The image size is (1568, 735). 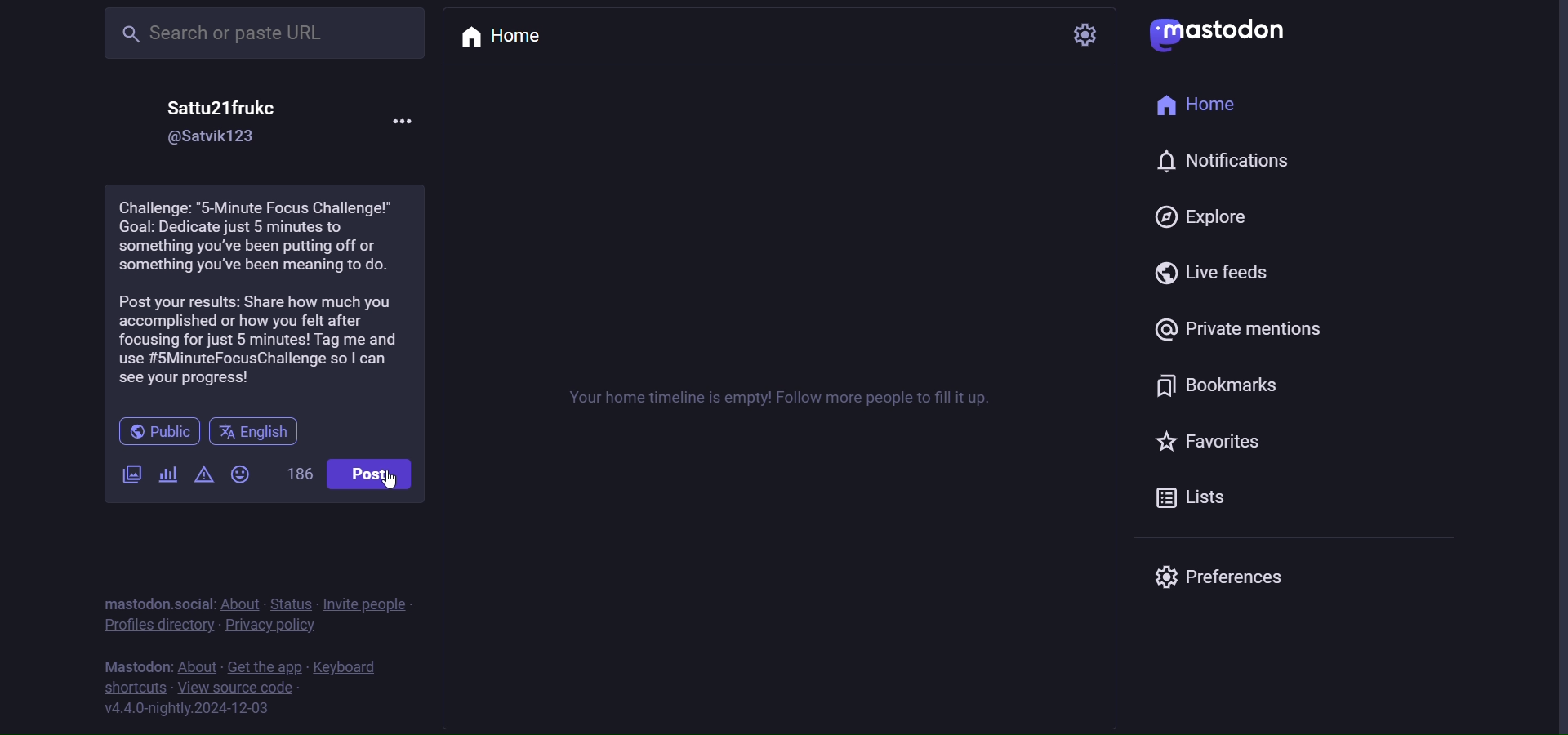 I want to click on mastodon, so click(x=132, y=665).